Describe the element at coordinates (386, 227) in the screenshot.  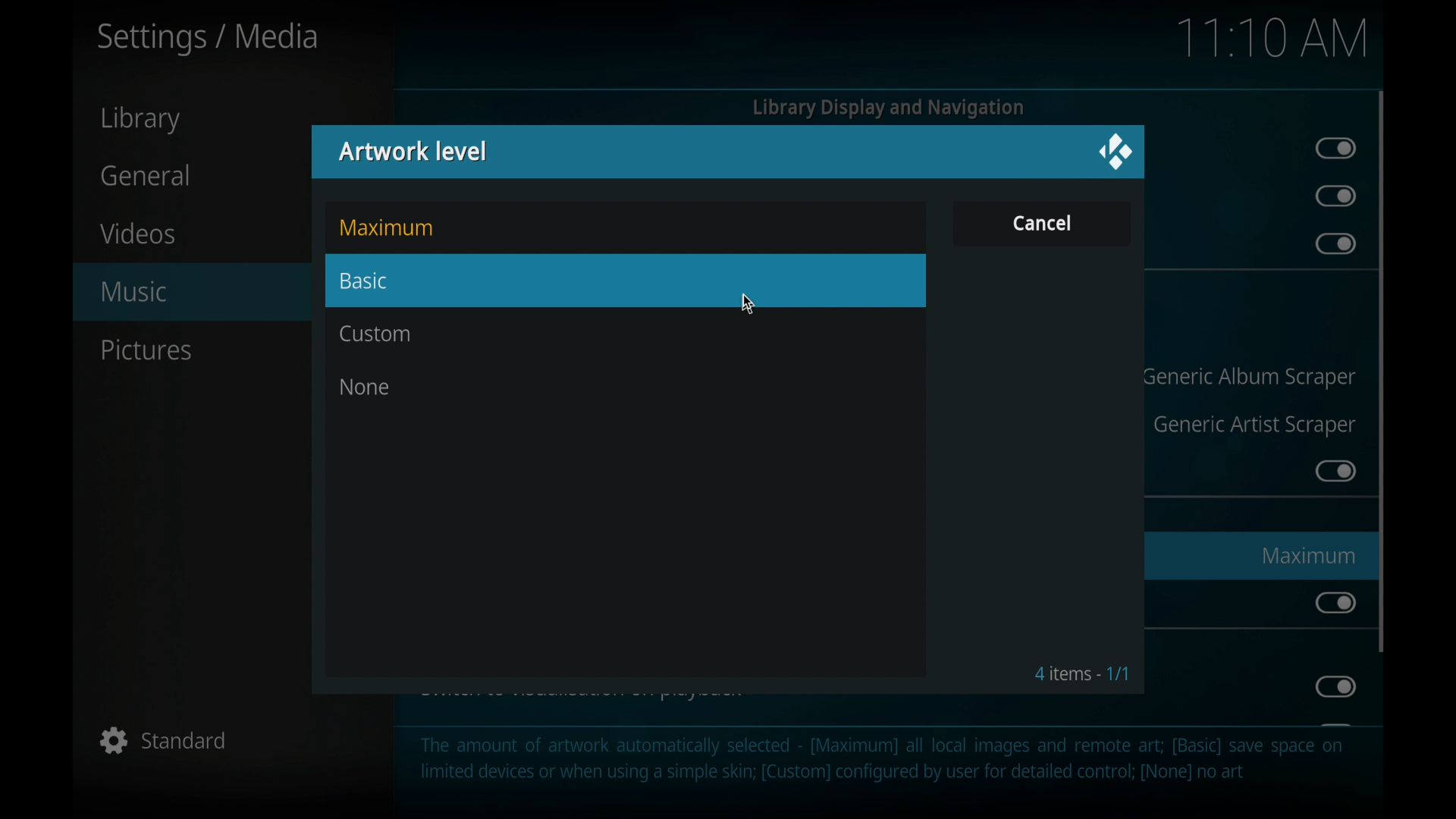
I see `maximum` at that location.